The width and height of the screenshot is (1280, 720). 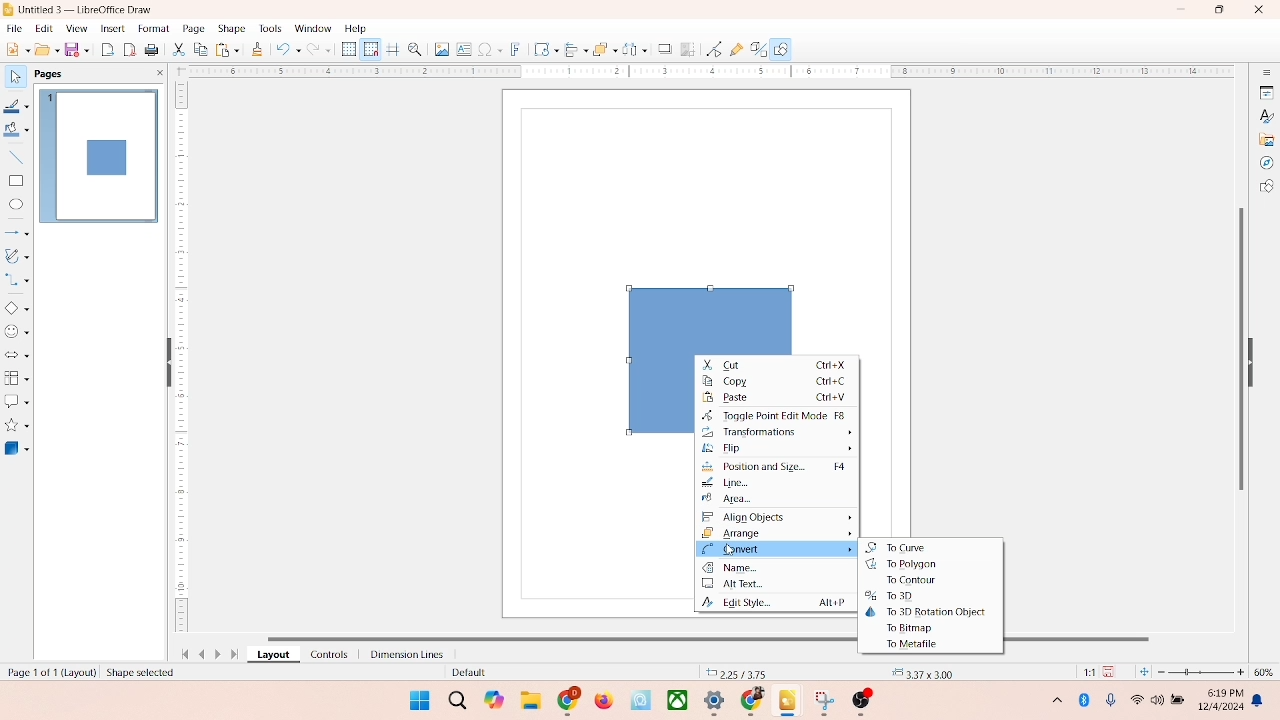 I want to click on redo, so click(x=323, y=51).